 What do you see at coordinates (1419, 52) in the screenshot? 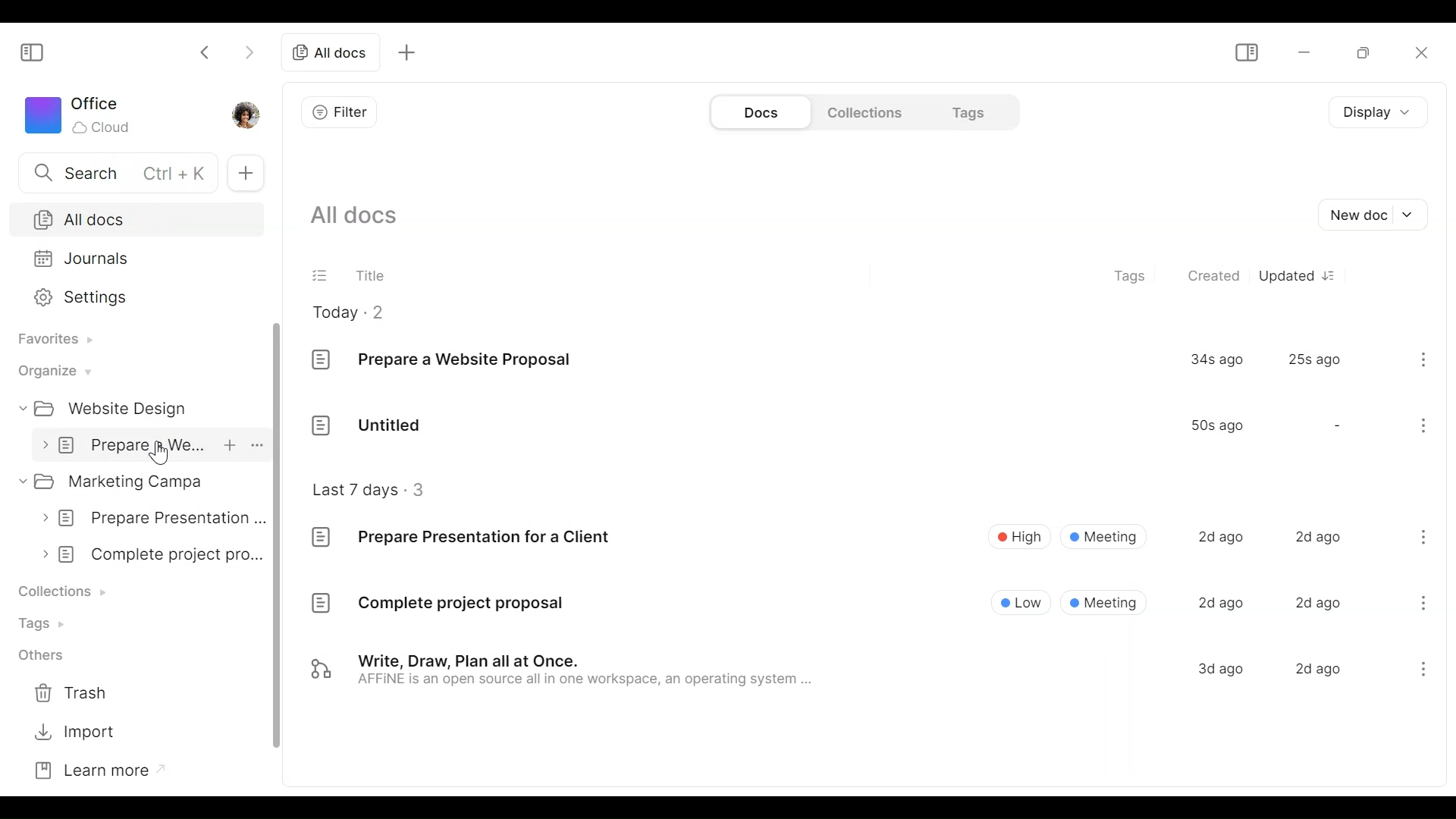
I see `Close` at bounding box center [1419, 52].